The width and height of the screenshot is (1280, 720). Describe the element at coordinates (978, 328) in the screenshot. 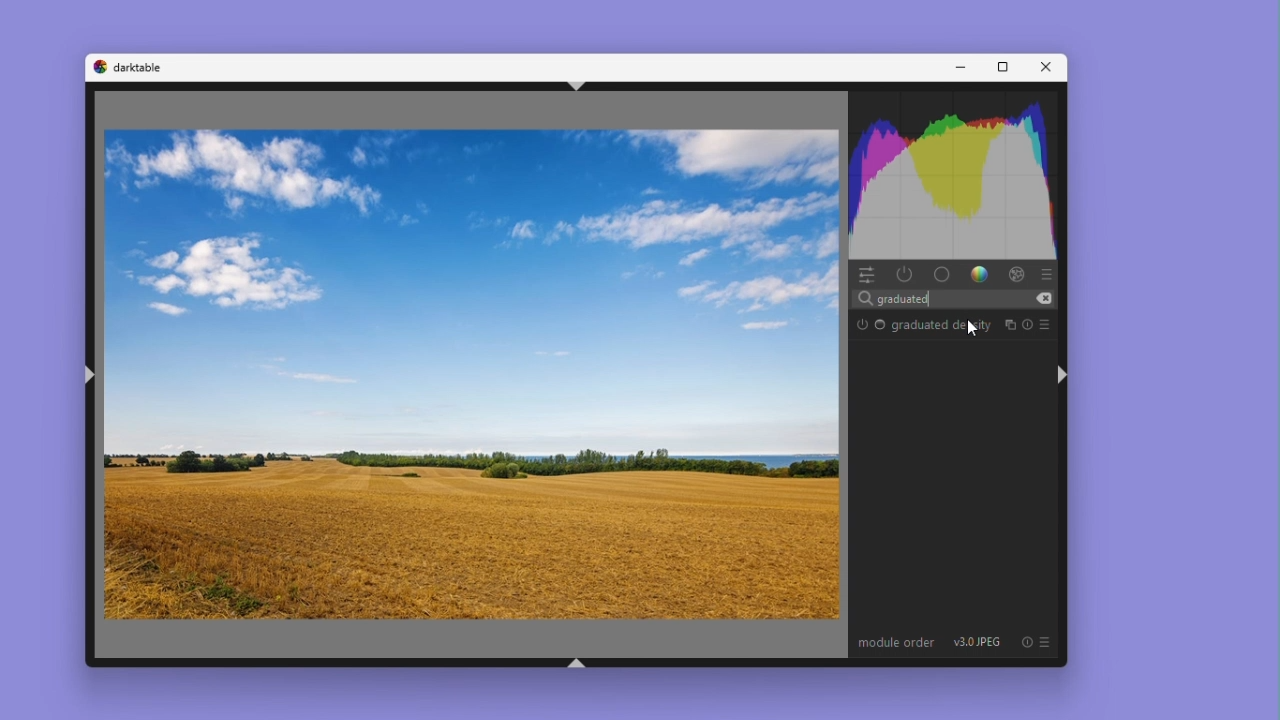

I see `cursor` at that location.